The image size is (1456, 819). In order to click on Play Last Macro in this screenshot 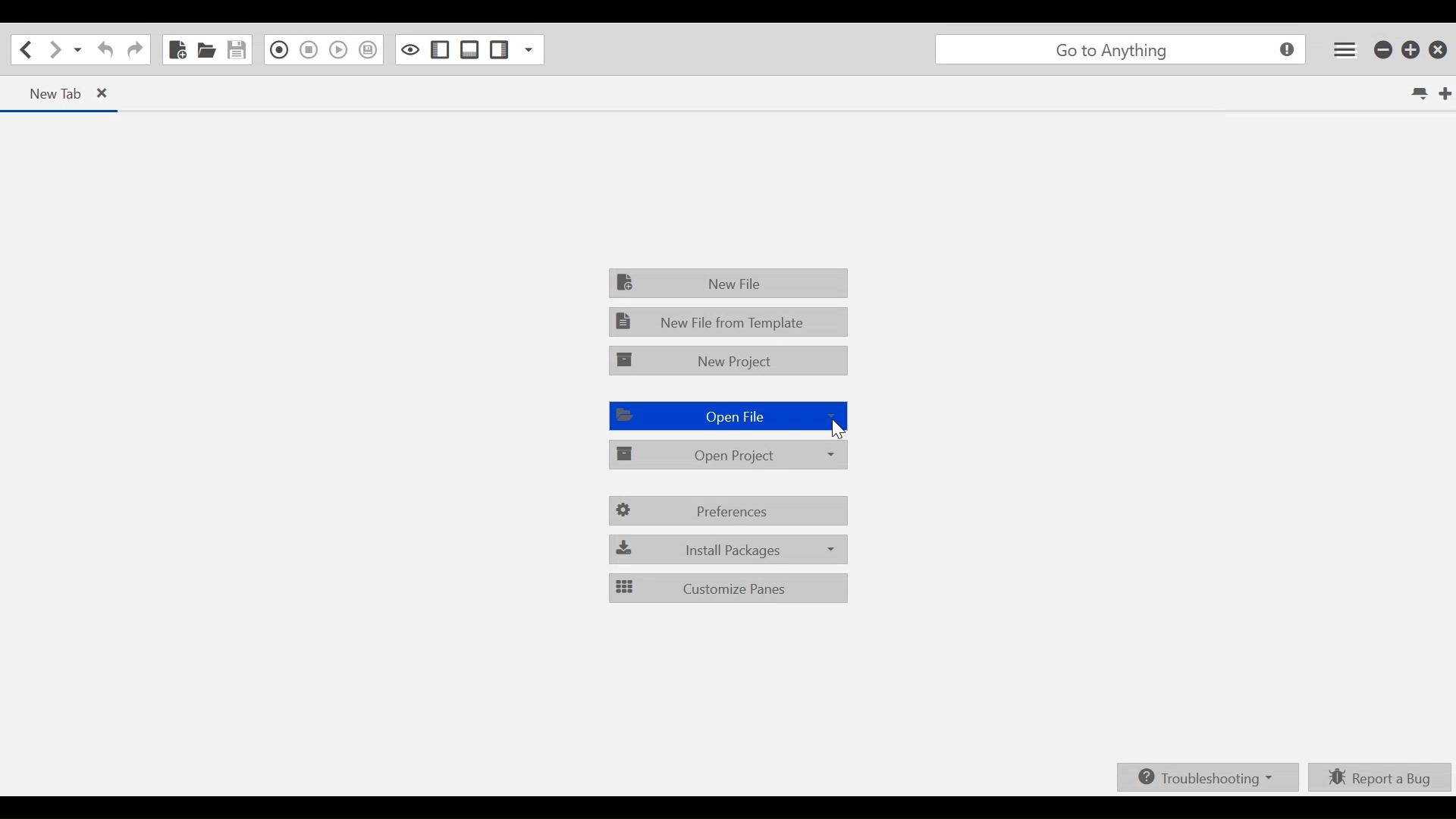, I will do `click(339, 49)`.